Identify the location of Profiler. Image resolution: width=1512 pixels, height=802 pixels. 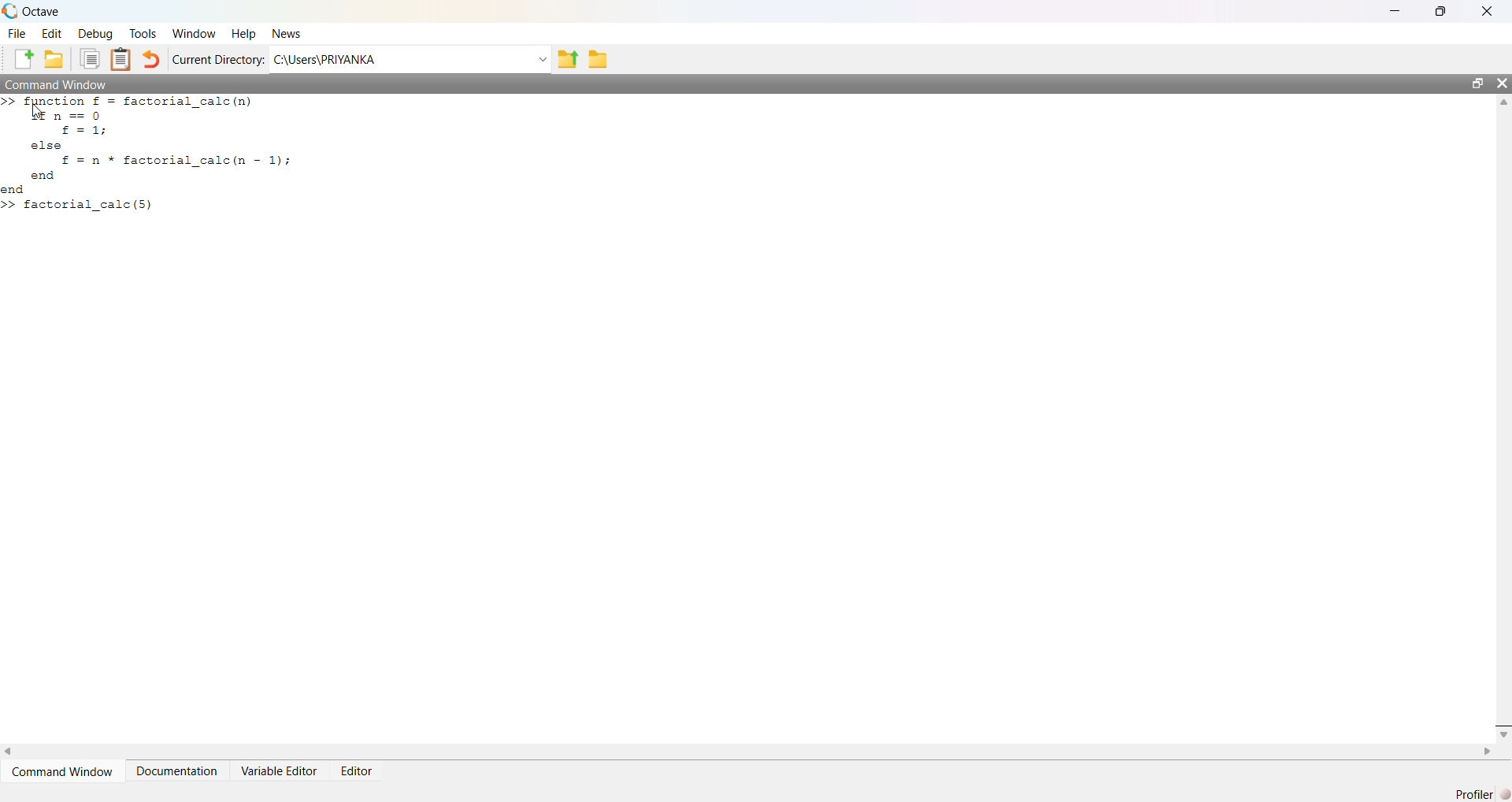
(1481, 793).